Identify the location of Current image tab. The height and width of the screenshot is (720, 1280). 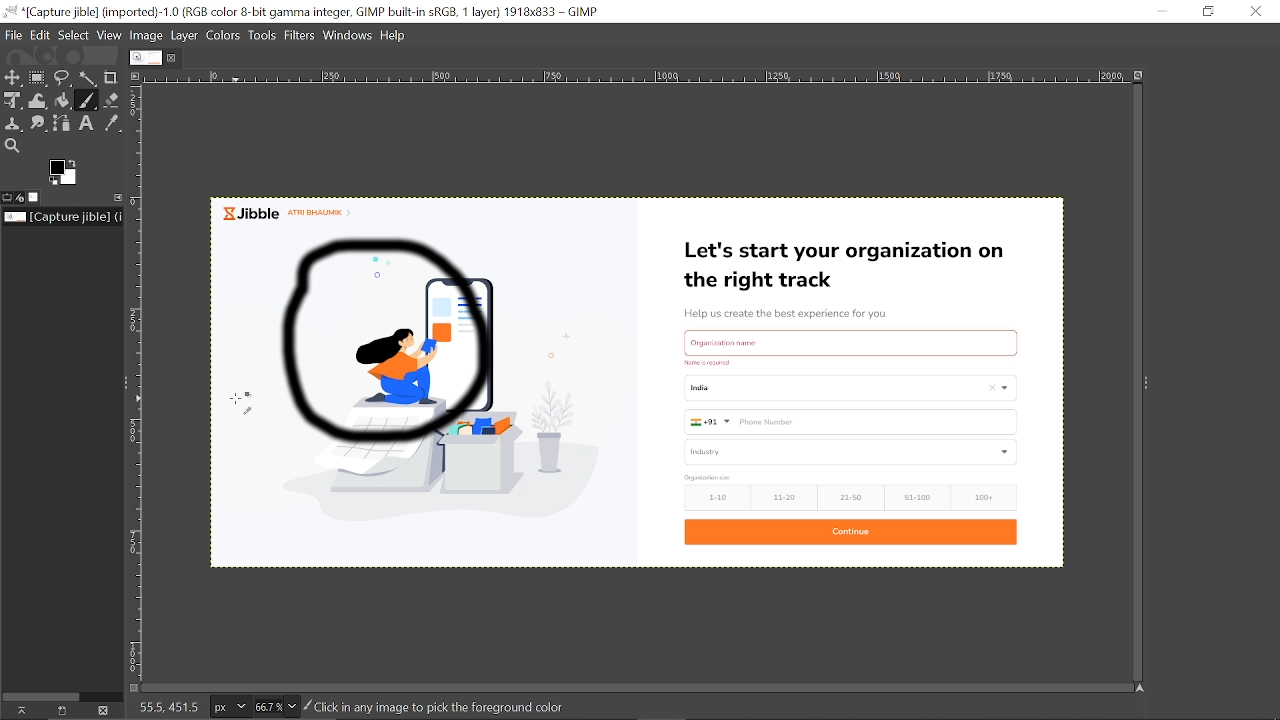
(146, 58).